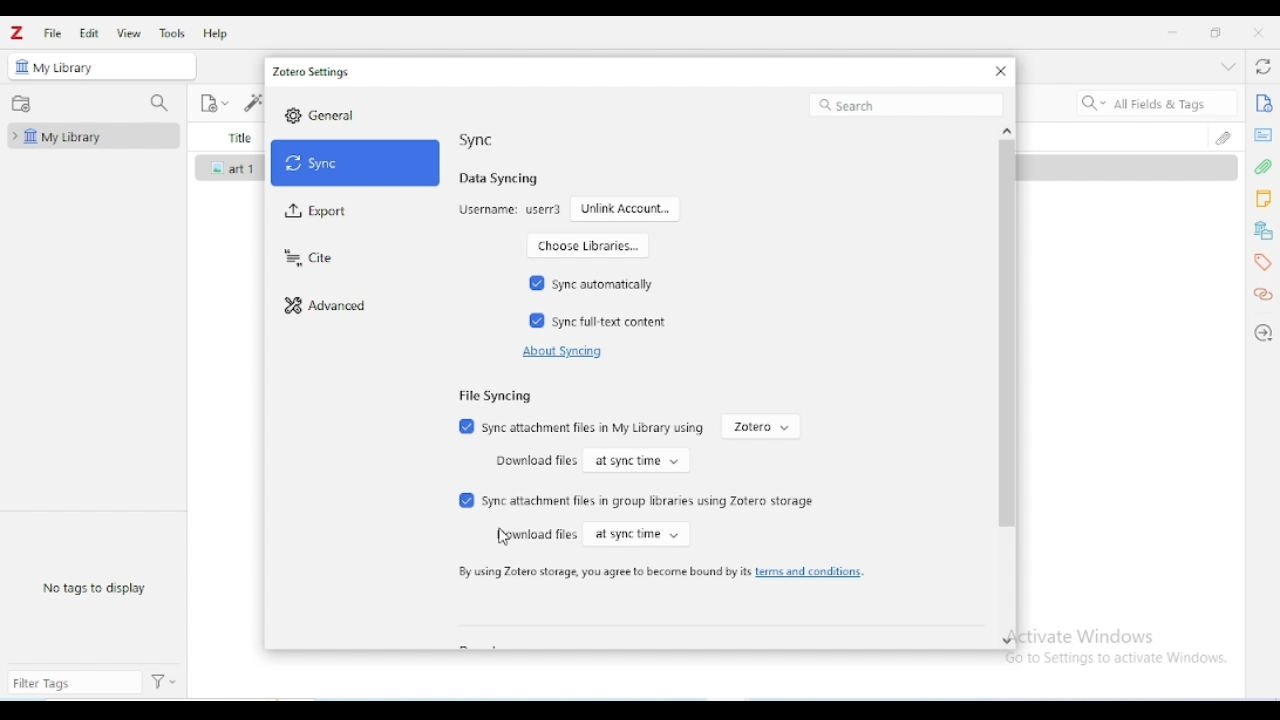 This screenshot has width=1280, height=720. What do you see at coordinates (1173, 33) in the screenshot?
I see `minimize` at bounding box center [1173, 33].